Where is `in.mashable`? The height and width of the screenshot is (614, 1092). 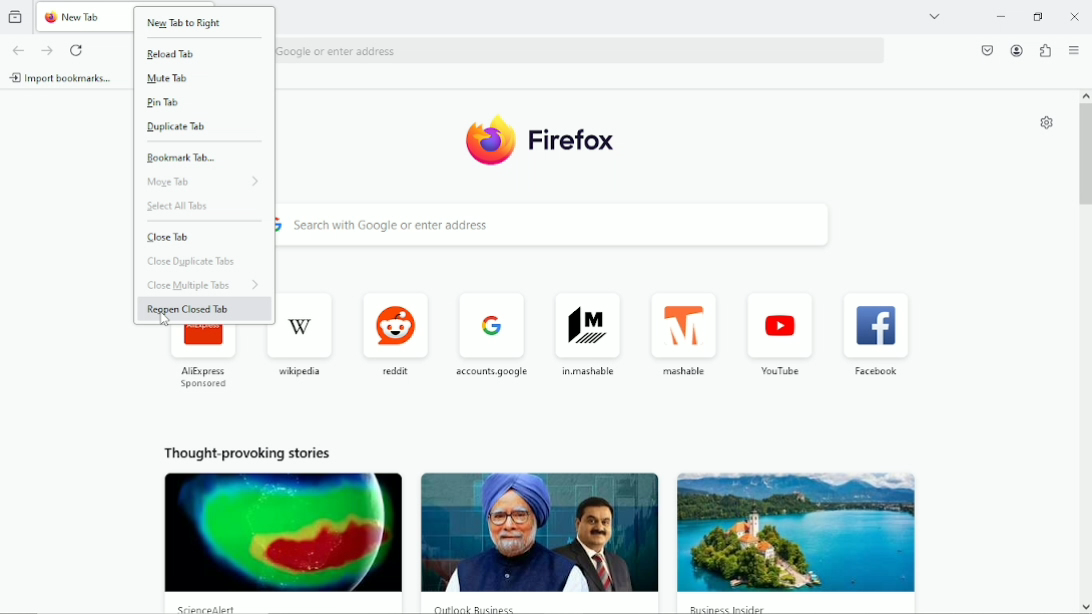
in.mashable is located at coordinates (589, 333).